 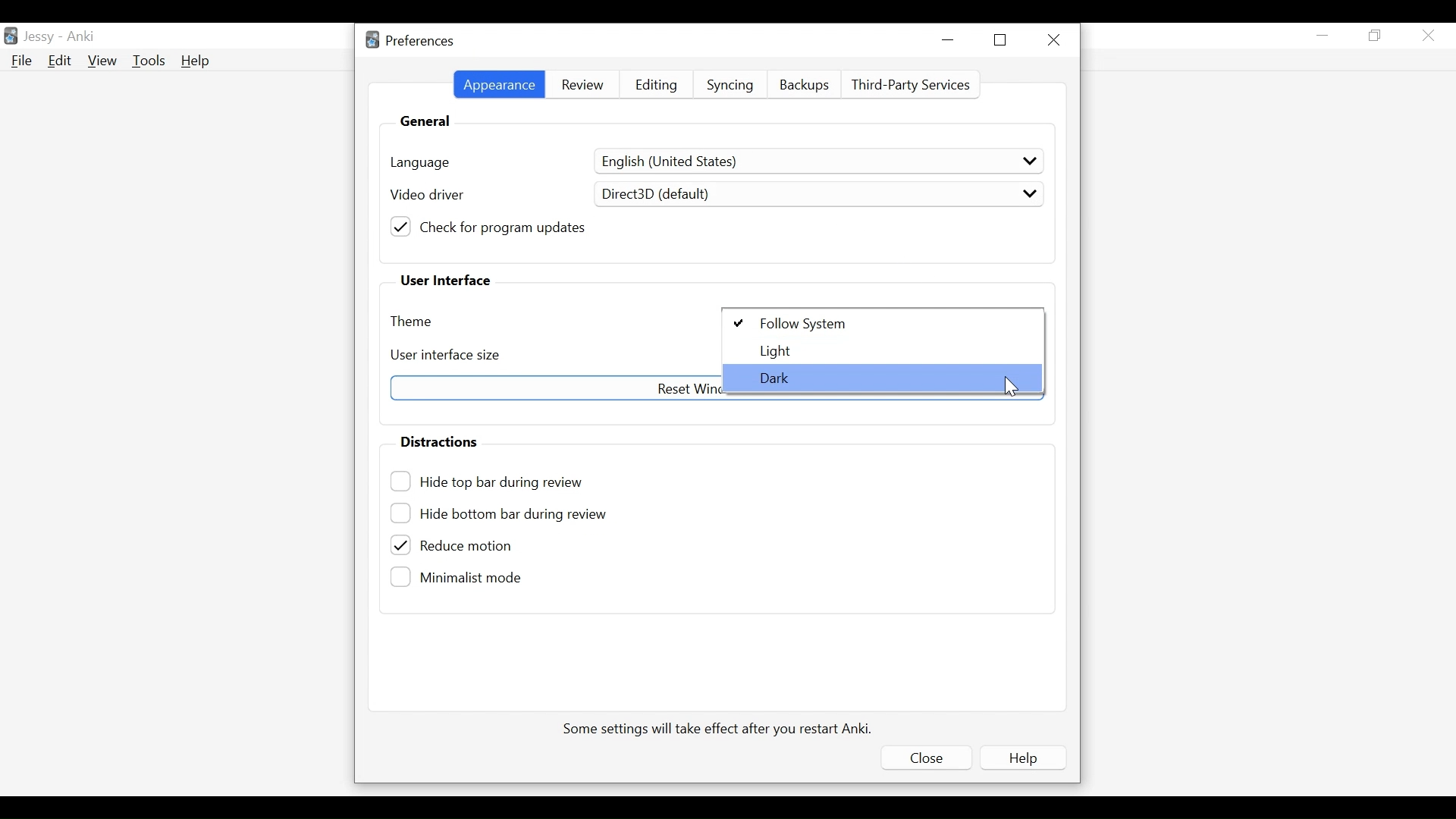 I want to click on Review, so click(x=581, y=86).